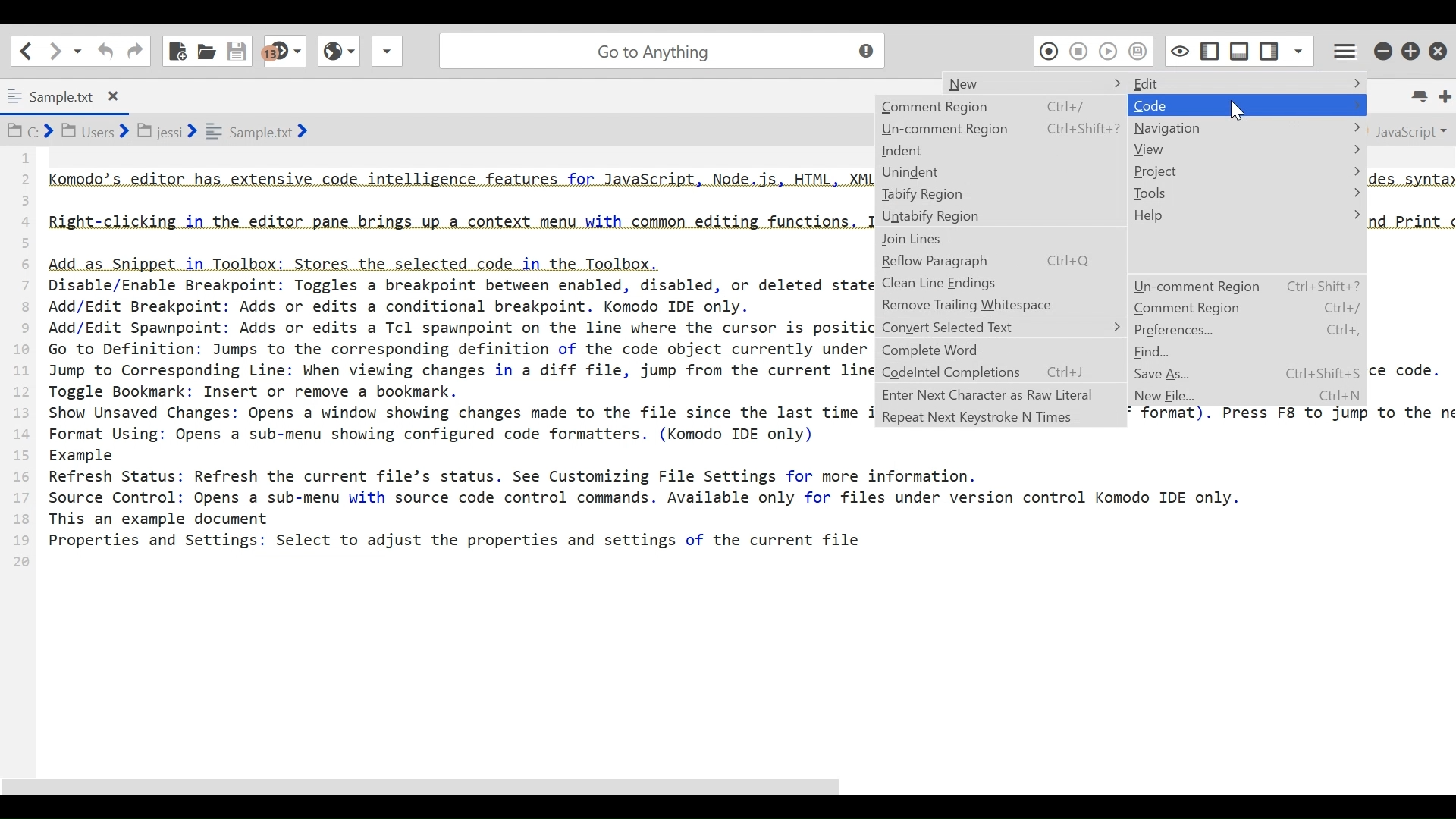 The width and height of the screenshot is (1456, 819). Describe the element at coordinates (1298, 49) in the screenshot. I see `Show specific sidebar` at that location.